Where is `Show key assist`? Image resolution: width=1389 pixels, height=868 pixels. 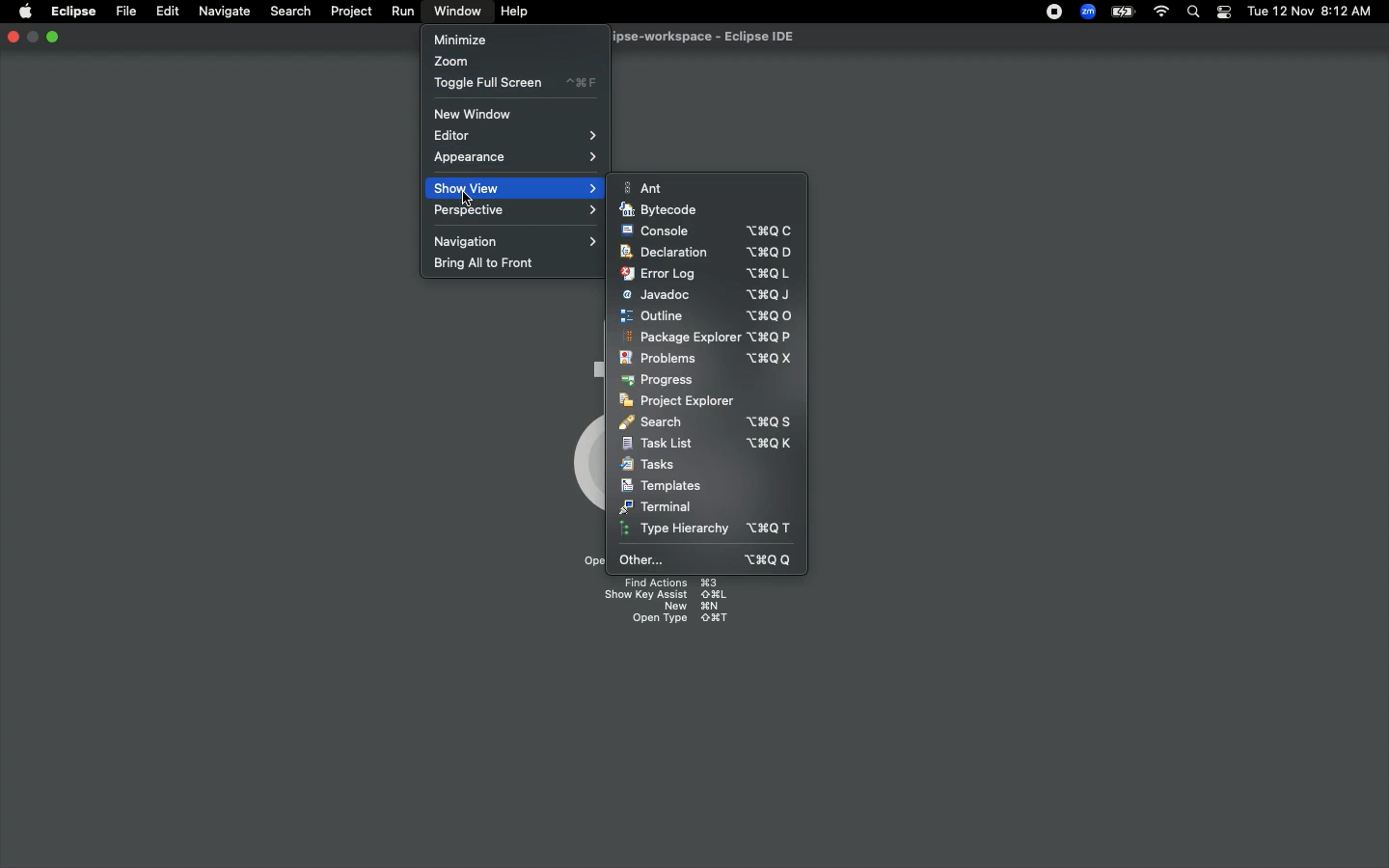 Show key assist is located at coordinates (665, 594).